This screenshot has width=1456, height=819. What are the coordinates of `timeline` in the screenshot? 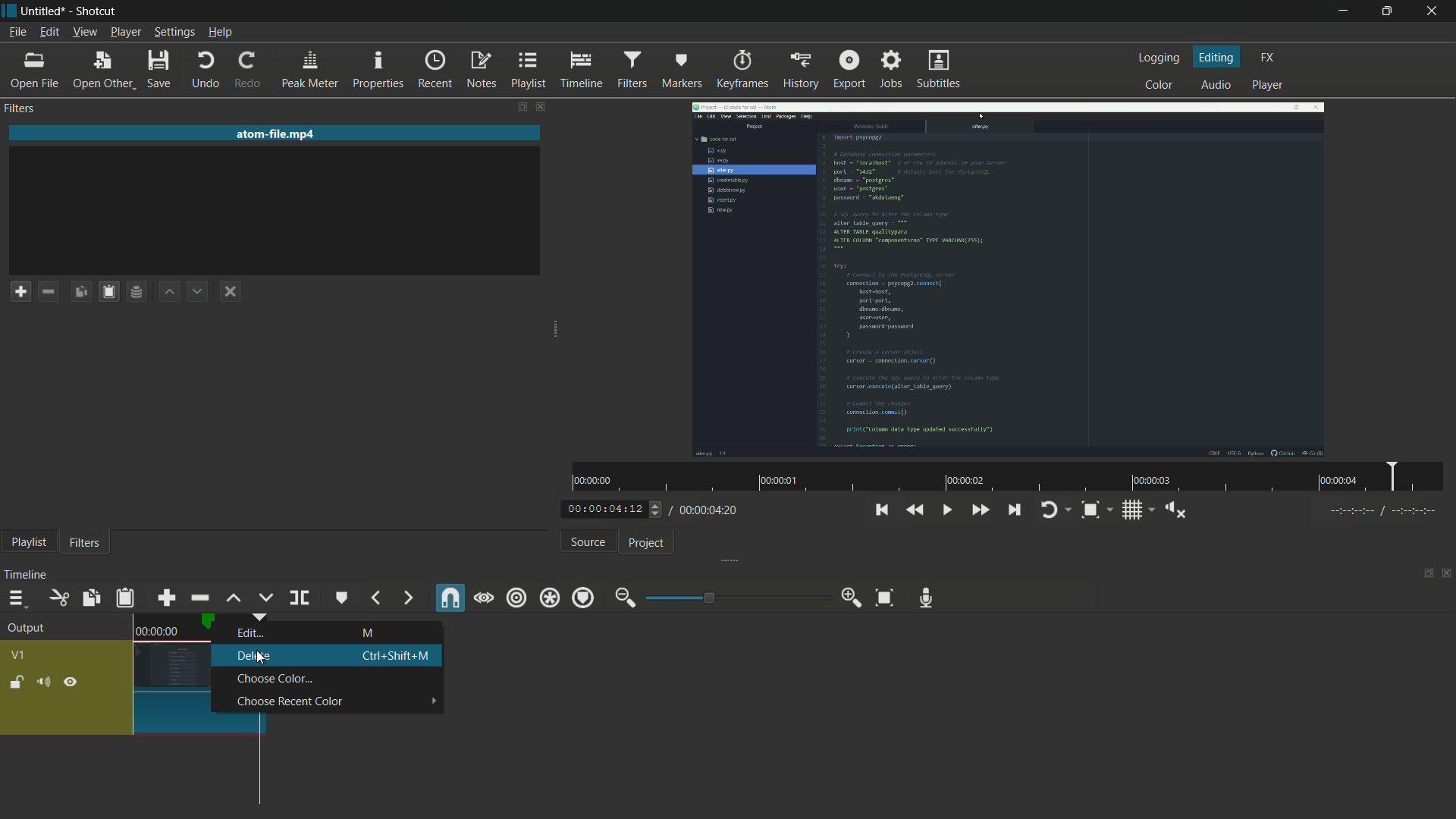 It's located at (30, 575).